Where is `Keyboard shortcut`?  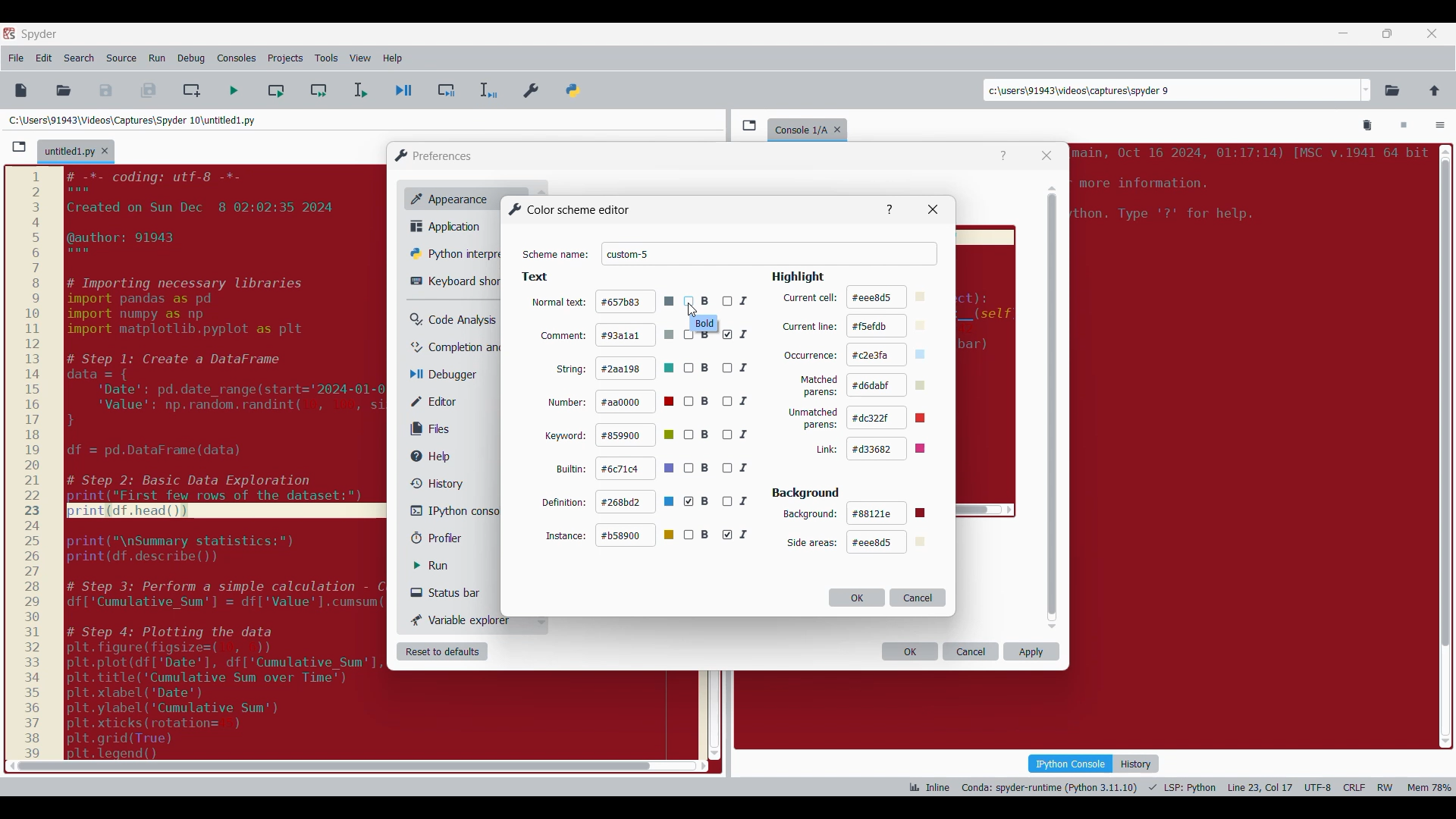 Keyboard shortcut is located at coordinates (455, 281).